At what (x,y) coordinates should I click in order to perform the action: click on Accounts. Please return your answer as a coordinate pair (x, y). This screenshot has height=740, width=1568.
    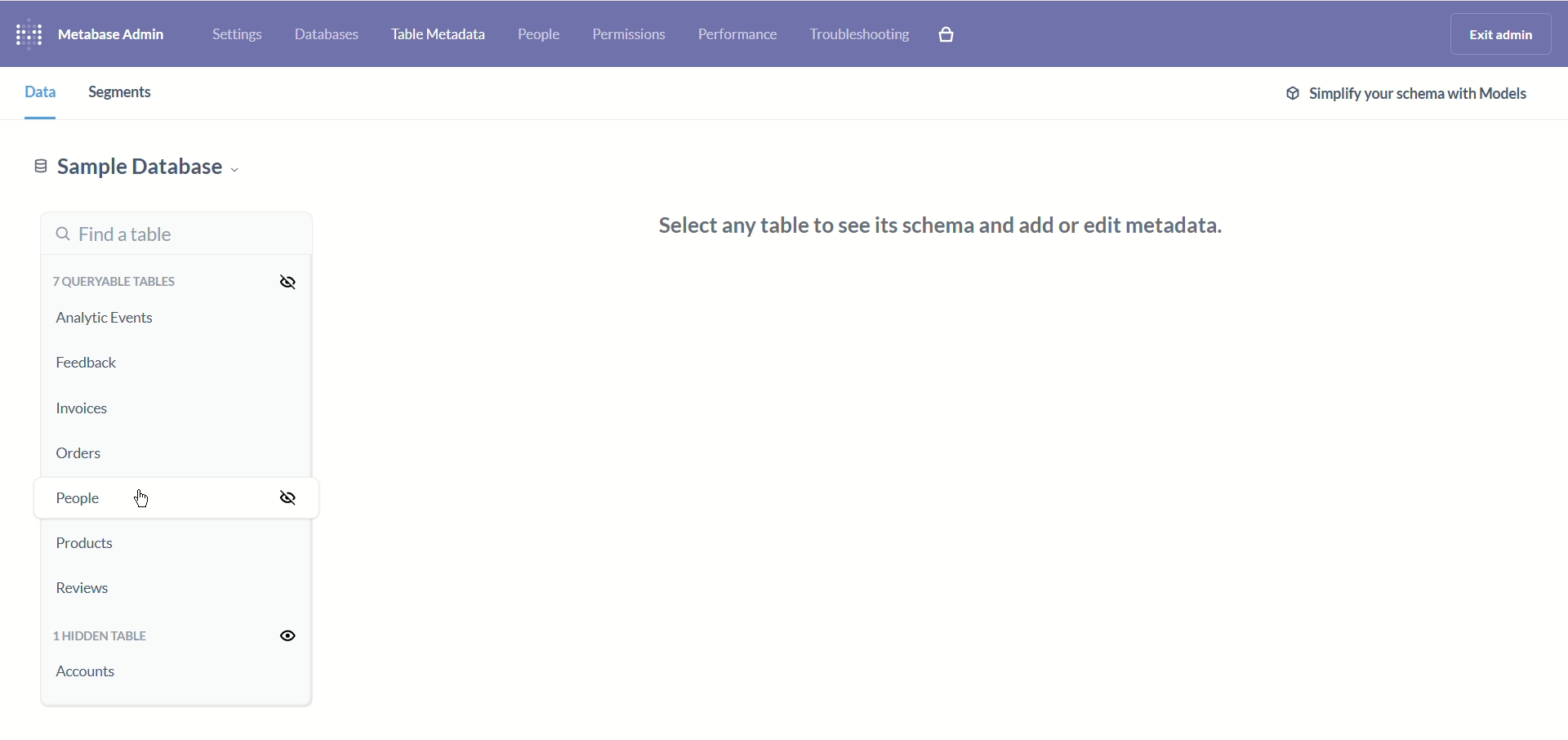
    Looking at the image, I should click on (91, 681).